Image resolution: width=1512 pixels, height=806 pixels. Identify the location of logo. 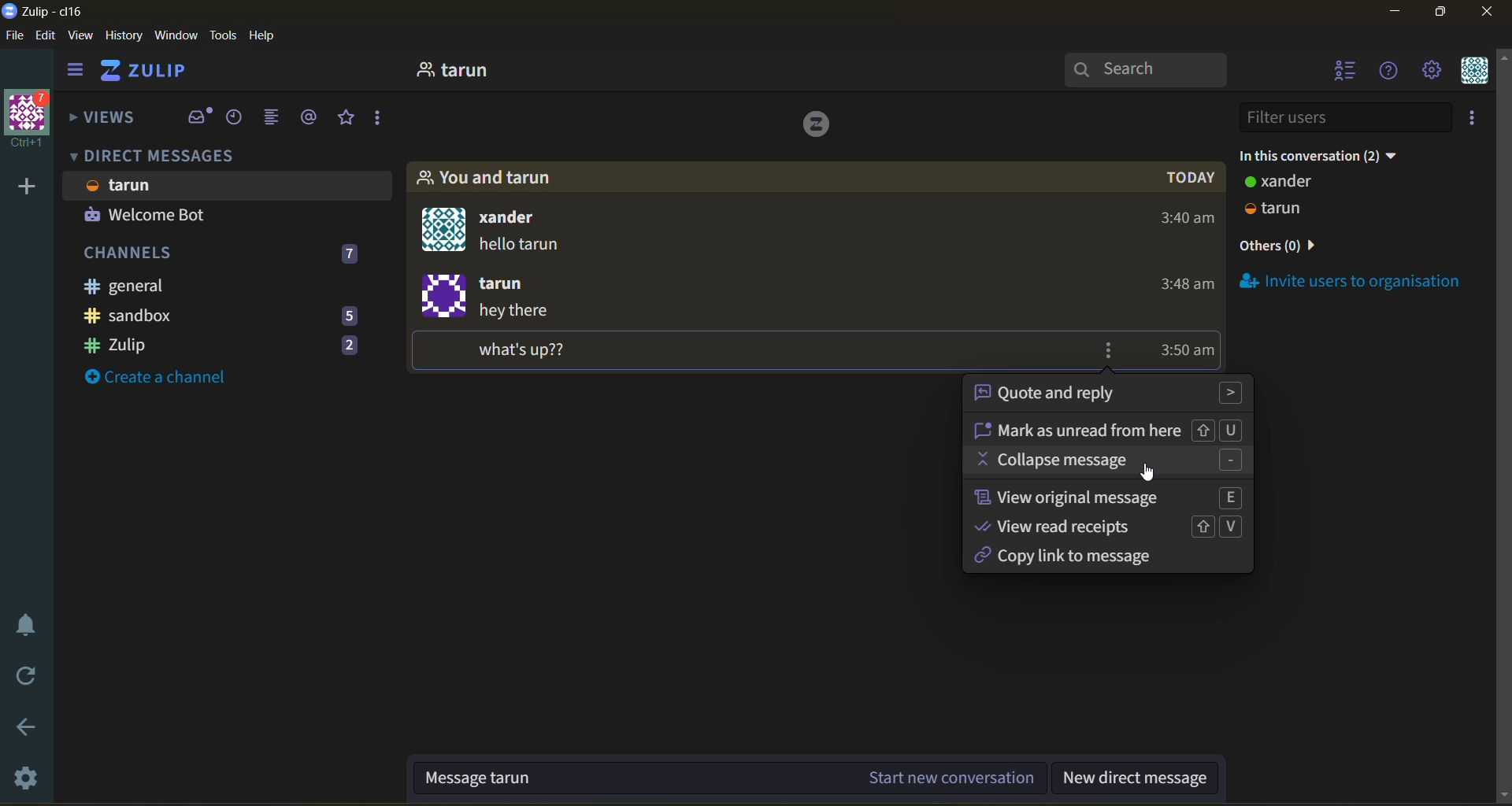
(817, 126).